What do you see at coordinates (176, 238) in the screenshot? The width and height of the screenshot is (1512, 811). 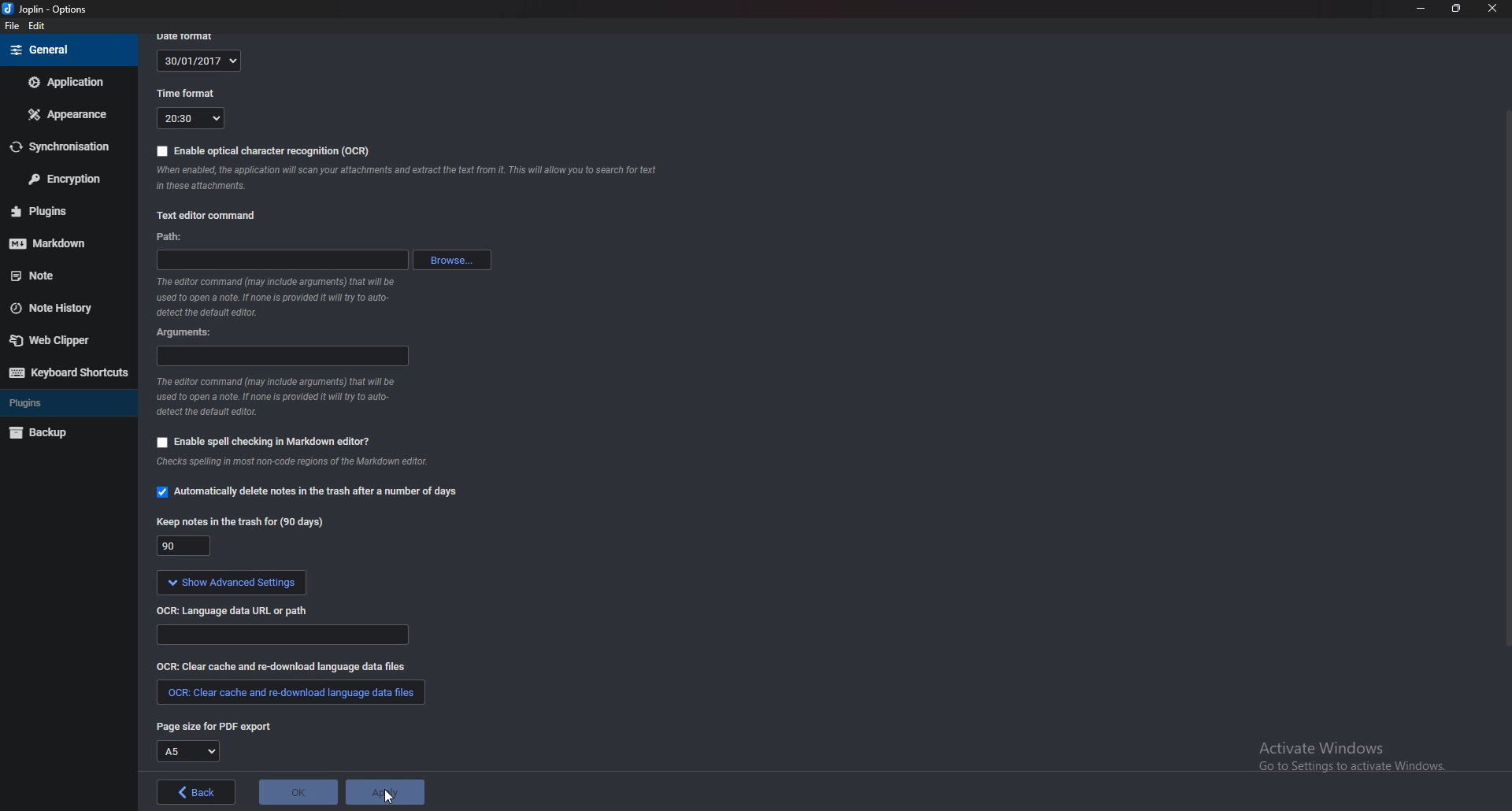 I see `path` at bounding box center [176, 238].